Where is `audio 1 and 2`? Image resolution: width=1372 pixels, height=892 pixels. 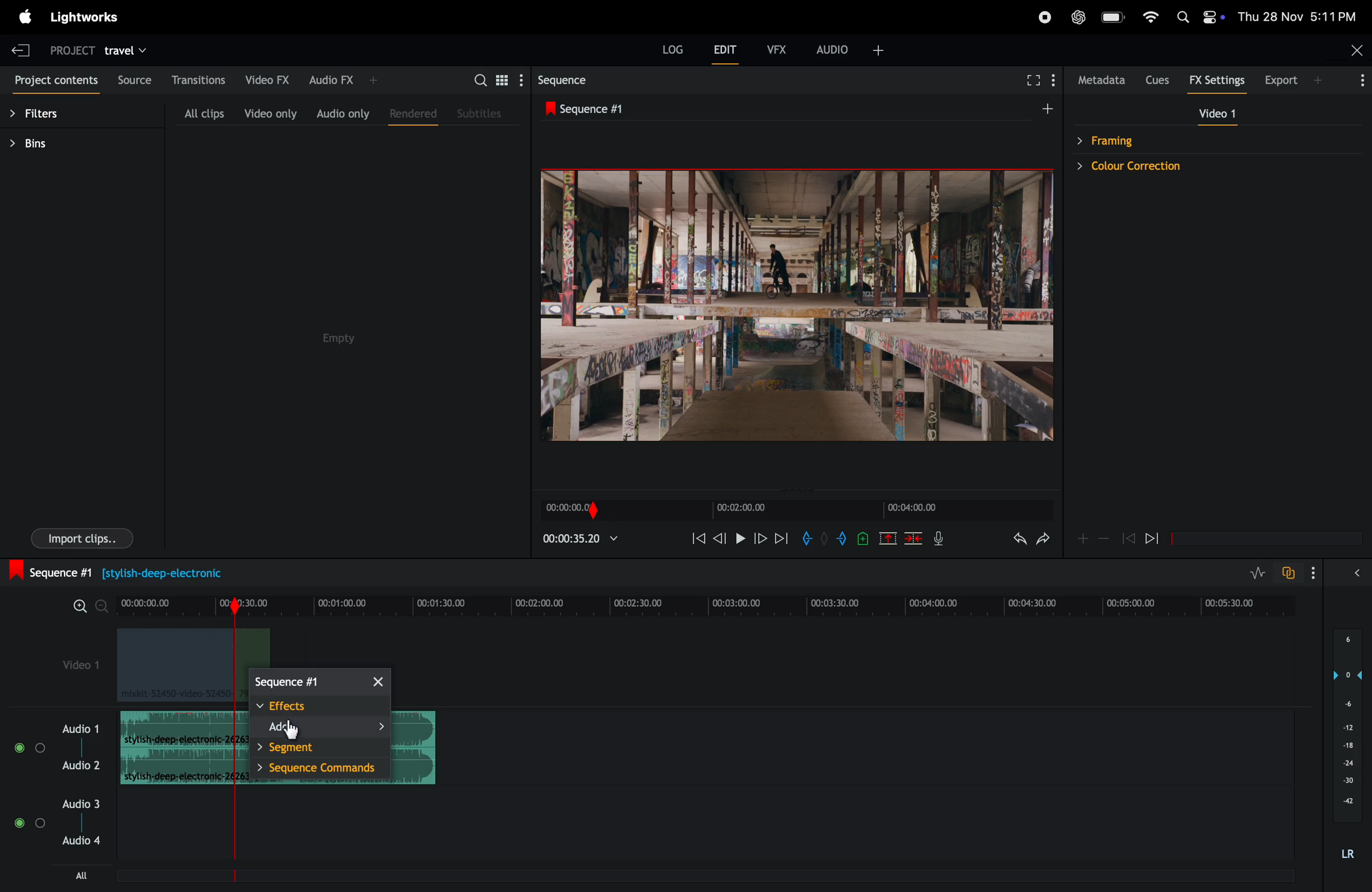
audio 1 and 2 is located at coordinates (81, 728).